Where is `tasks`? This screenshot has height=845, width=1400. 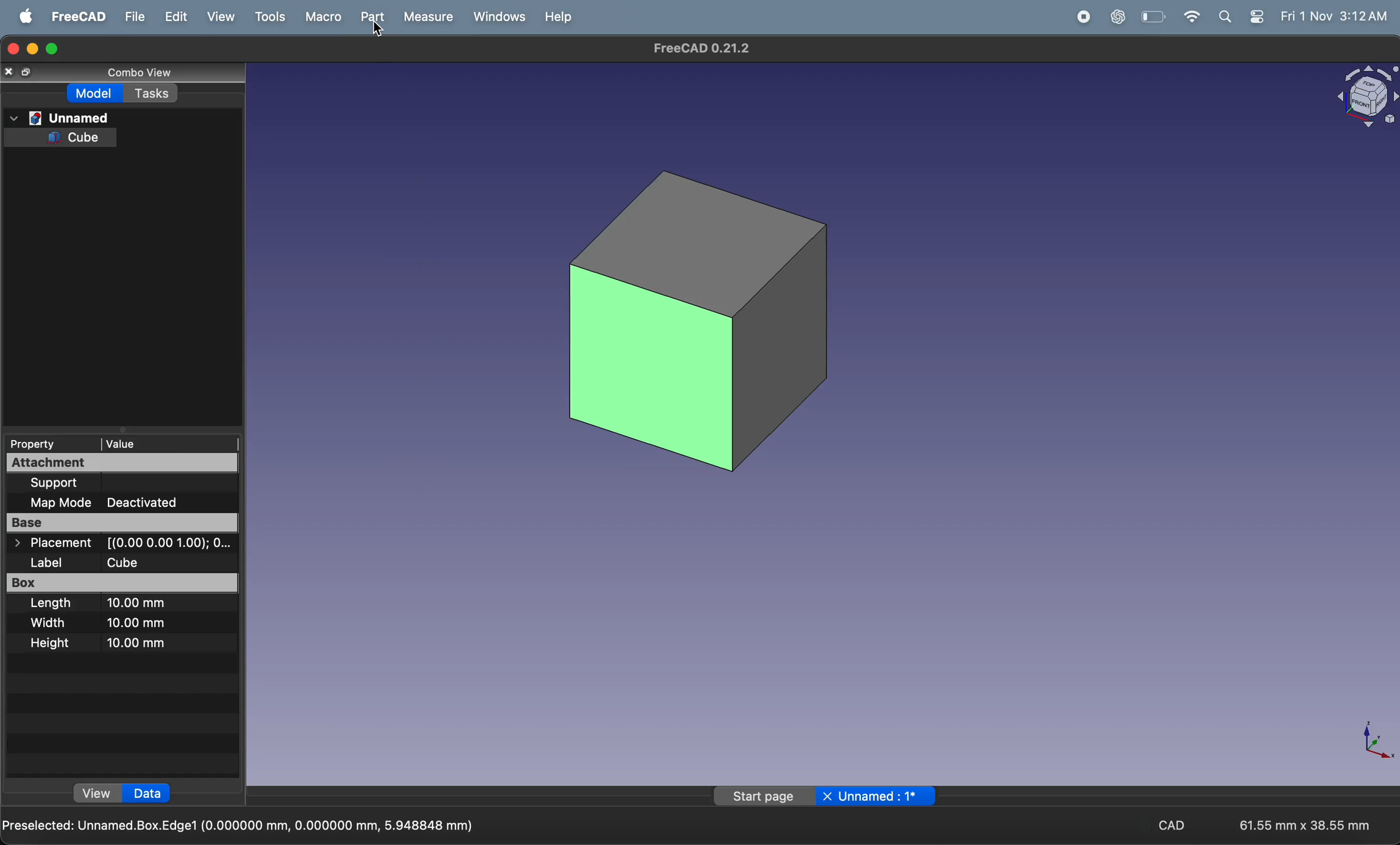
tasks is located at coordinates (153, 95).